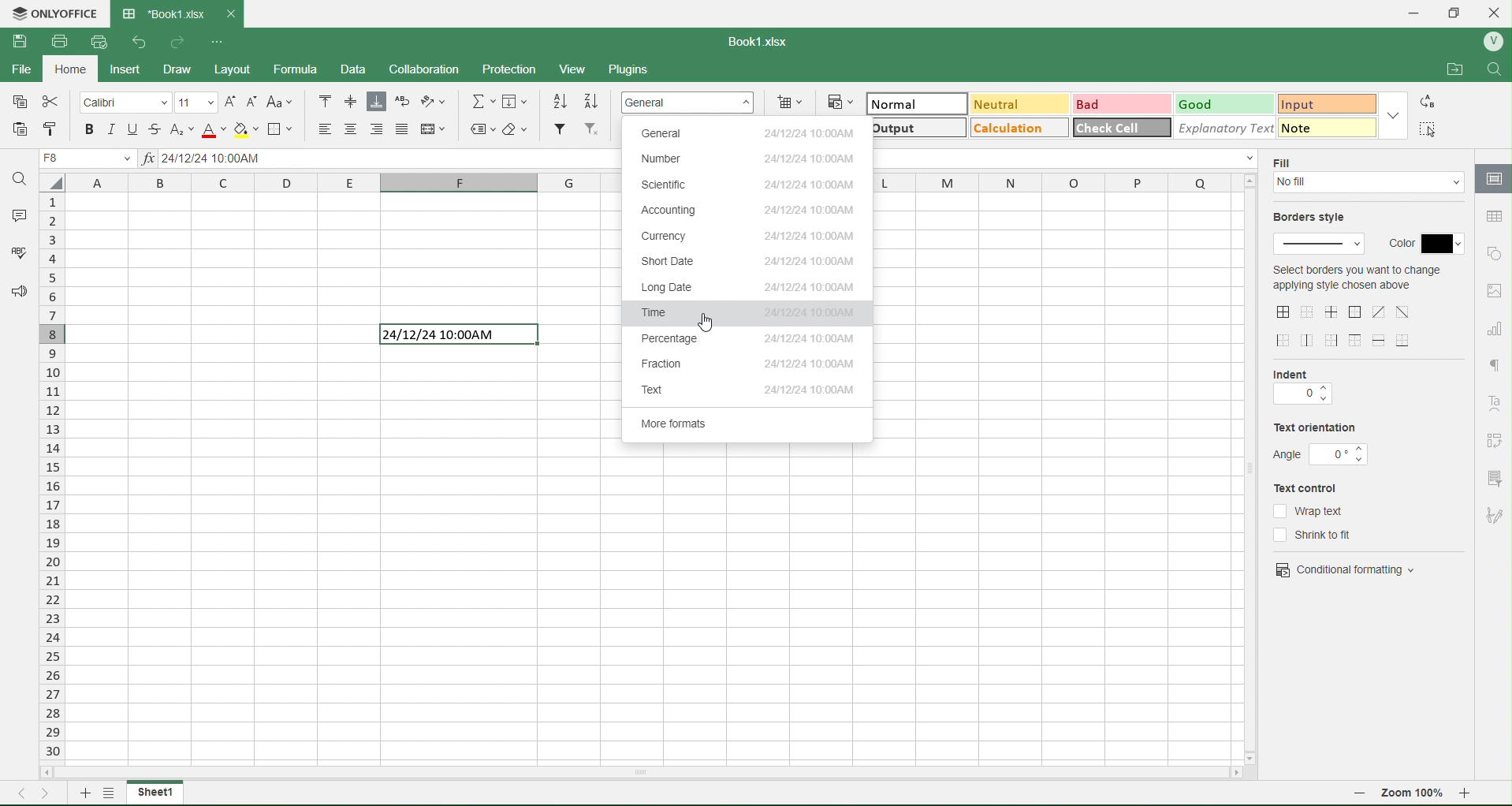 This screenshot has height=806, width=1512. Describe the element at coordinates (135, 42) in the screenshot. I see `undo` at that location.